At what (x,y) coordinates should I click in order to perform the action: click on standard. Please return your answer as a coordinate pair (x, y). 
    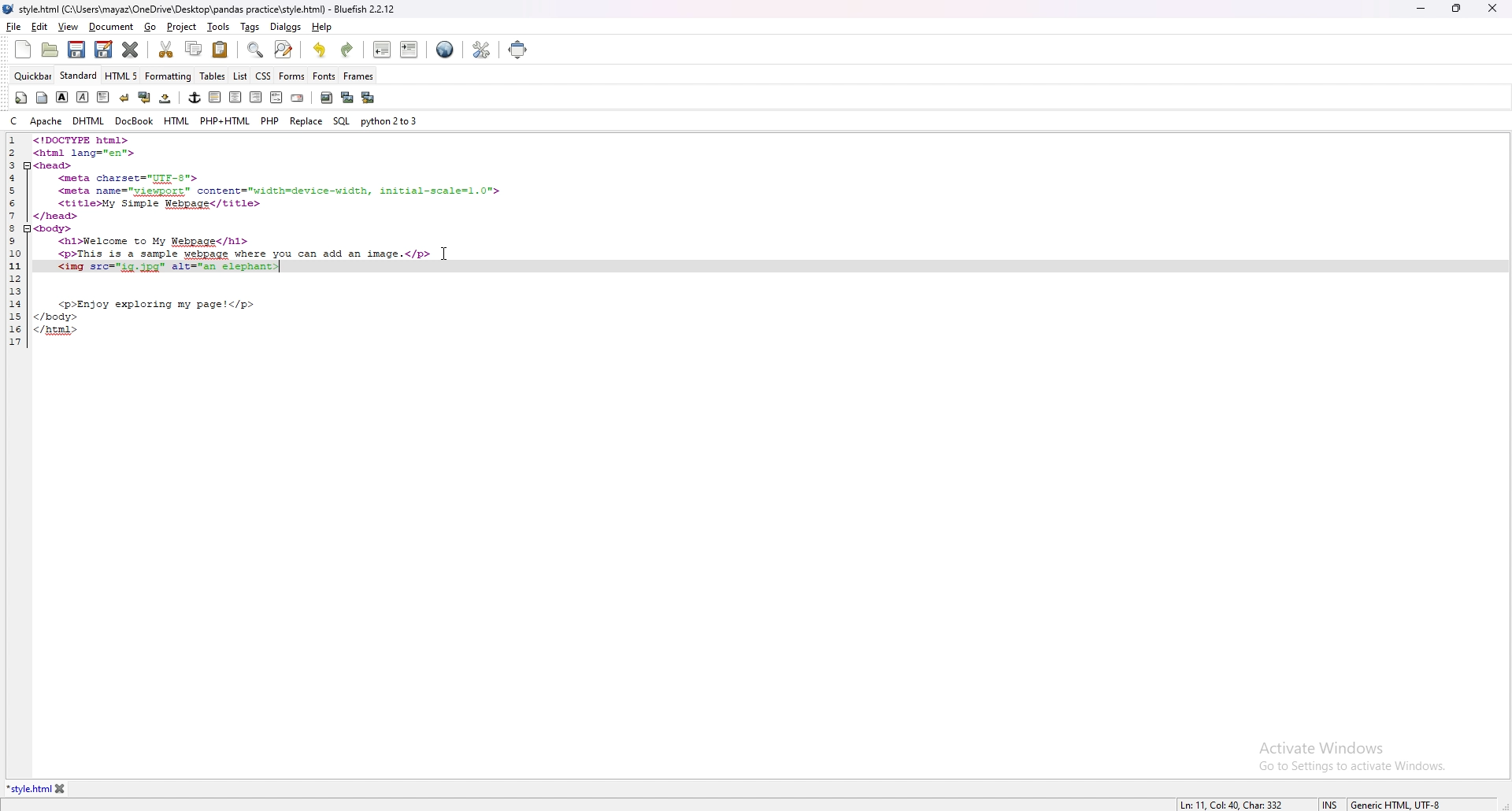
    Looking at the image, I should click on (79, 76).